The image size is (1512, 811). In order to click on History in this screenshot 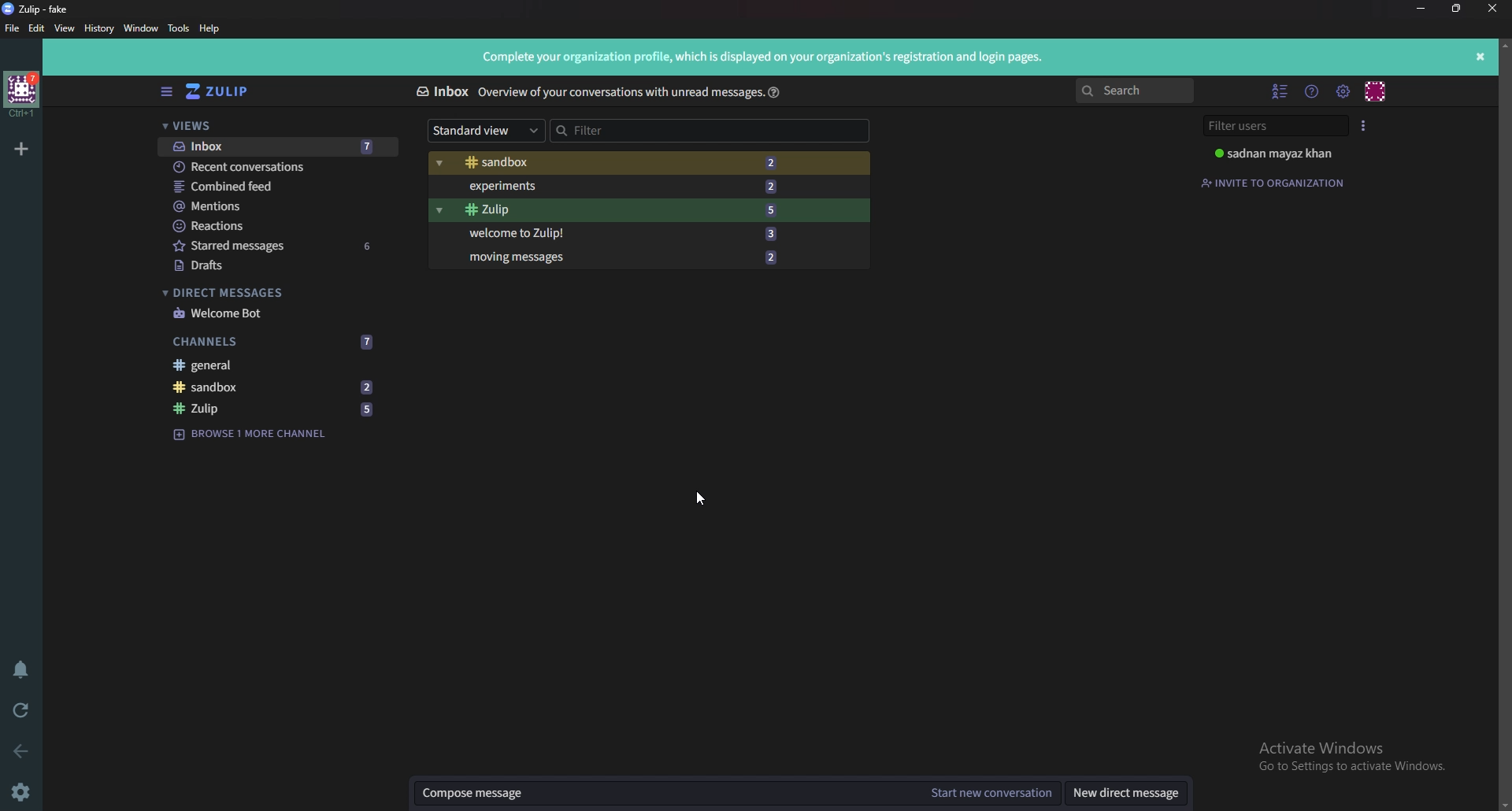, I will do `click(97, 28)`.